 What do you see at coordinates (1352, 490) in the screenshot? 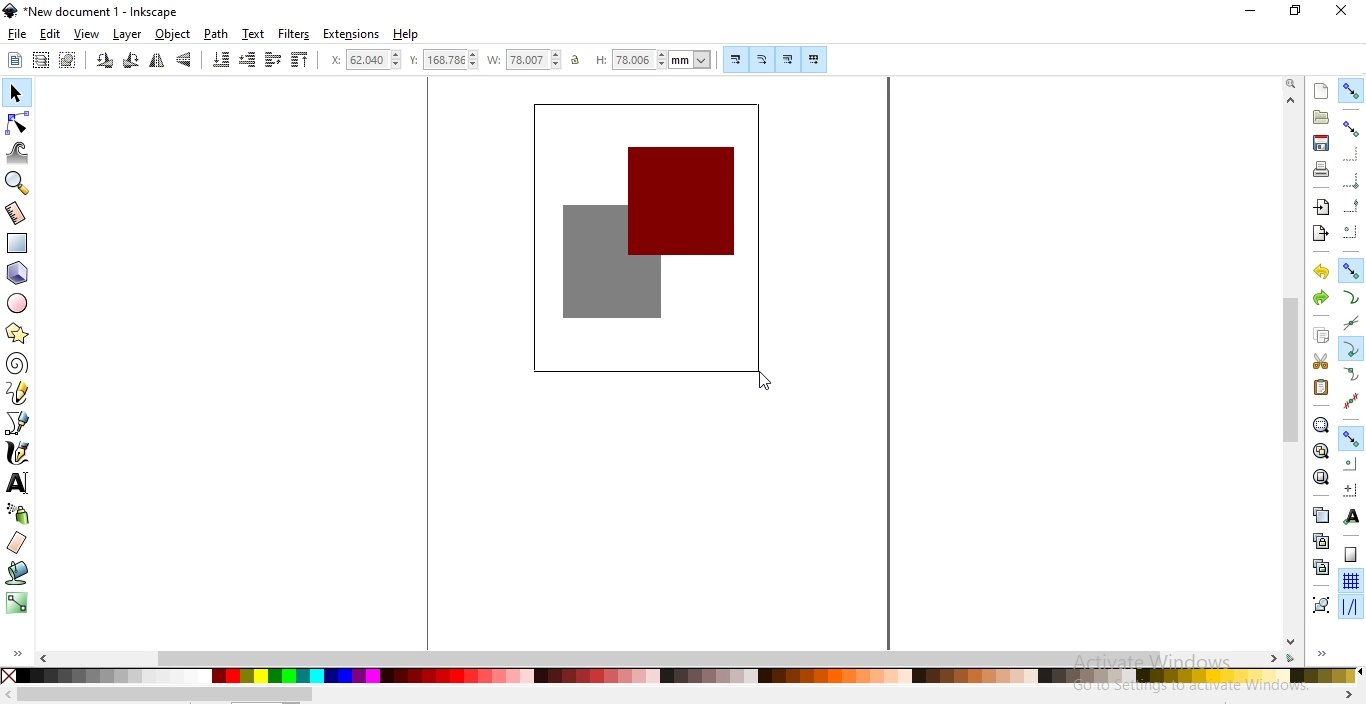
I see `snap an items rotation` at bounding box center [1352, 490].